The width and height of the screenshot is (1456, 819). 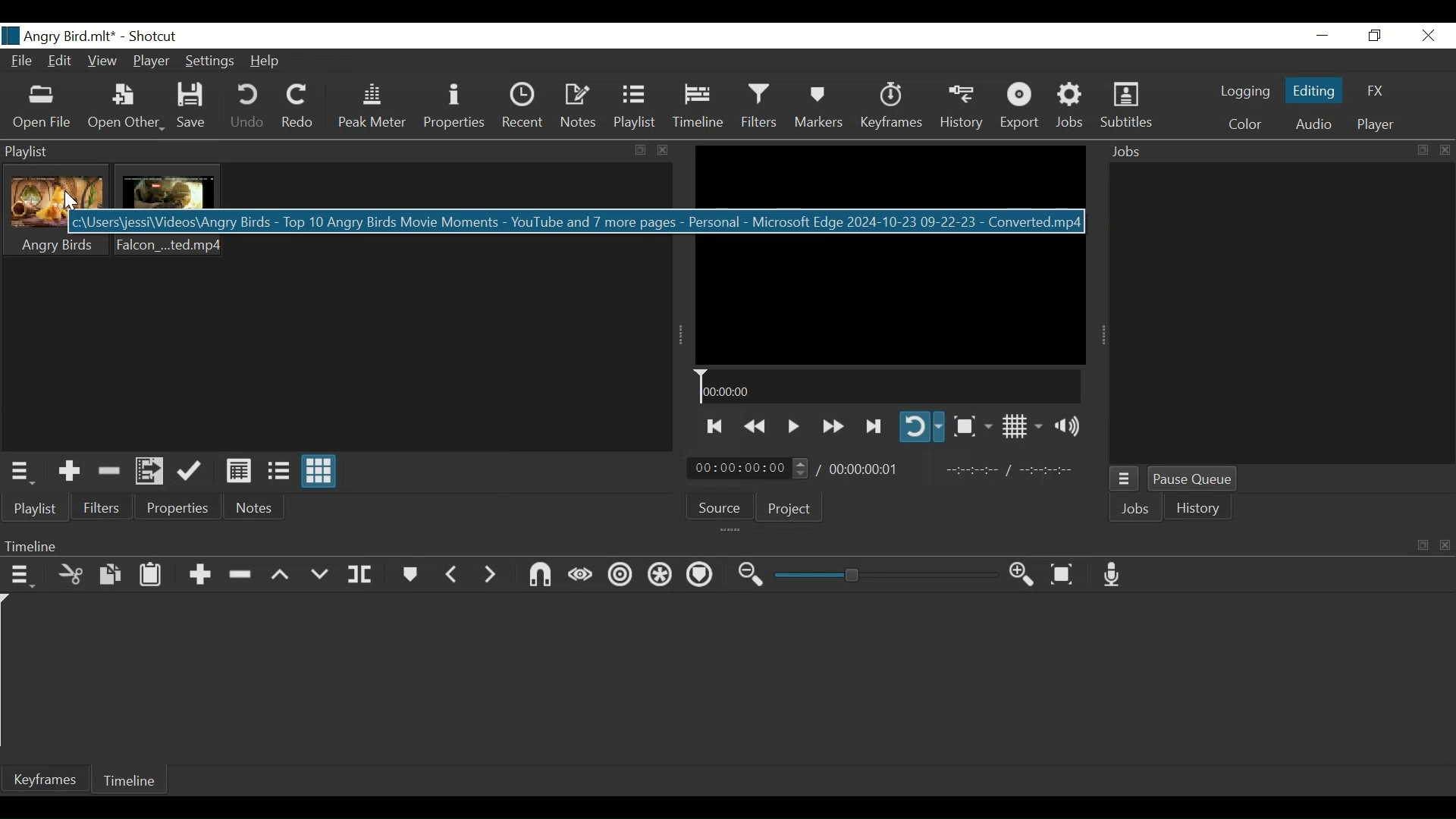 What do you see at coordinates (104, 509) in the screenshot?
I see `Filters` at bounding box center [104, 509].